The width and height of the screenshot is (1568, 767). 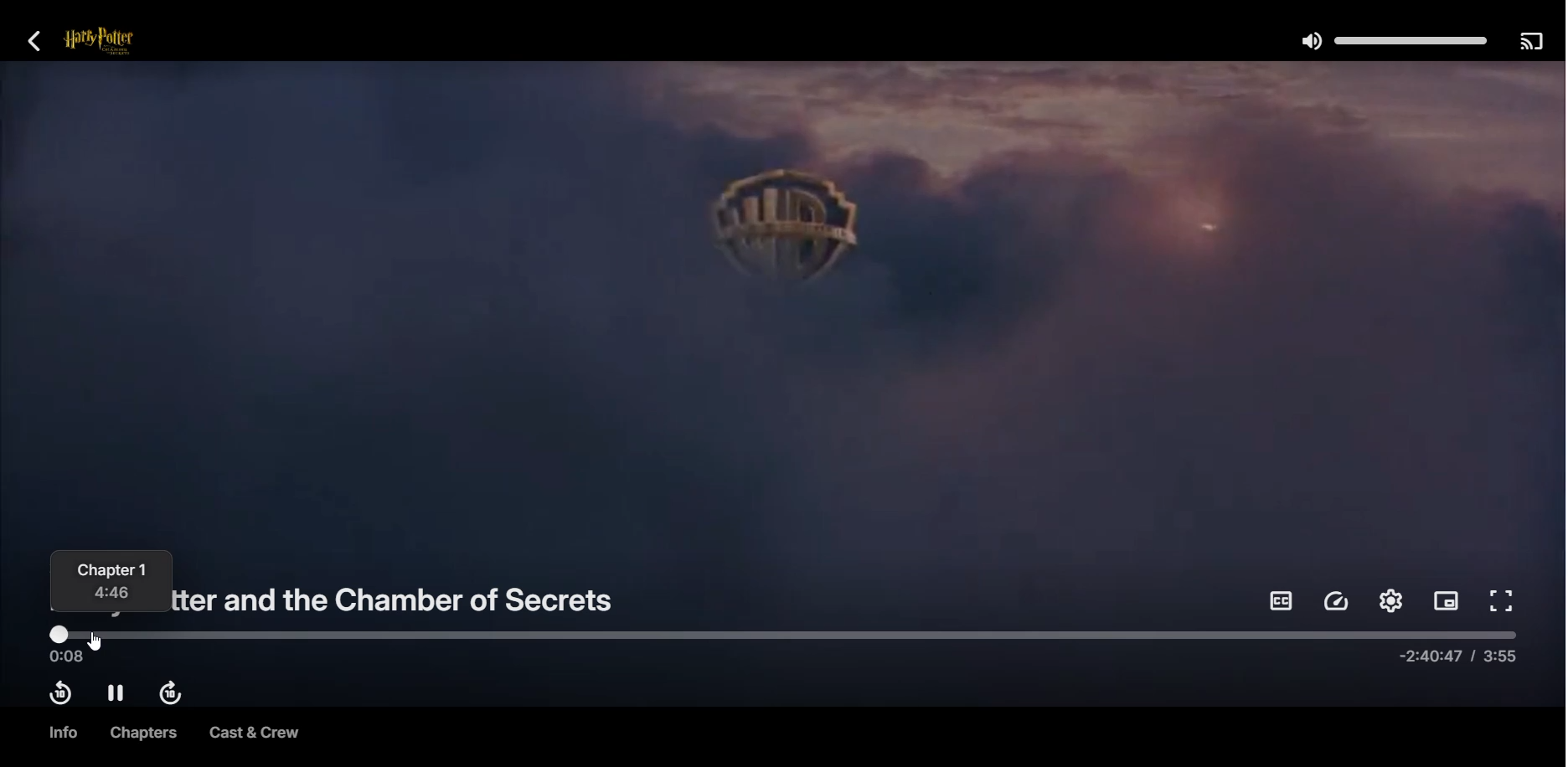 What do you see at coordinates (59, 693) in the screenshot?
I see `Rewind` at bounding box center [59, 693].